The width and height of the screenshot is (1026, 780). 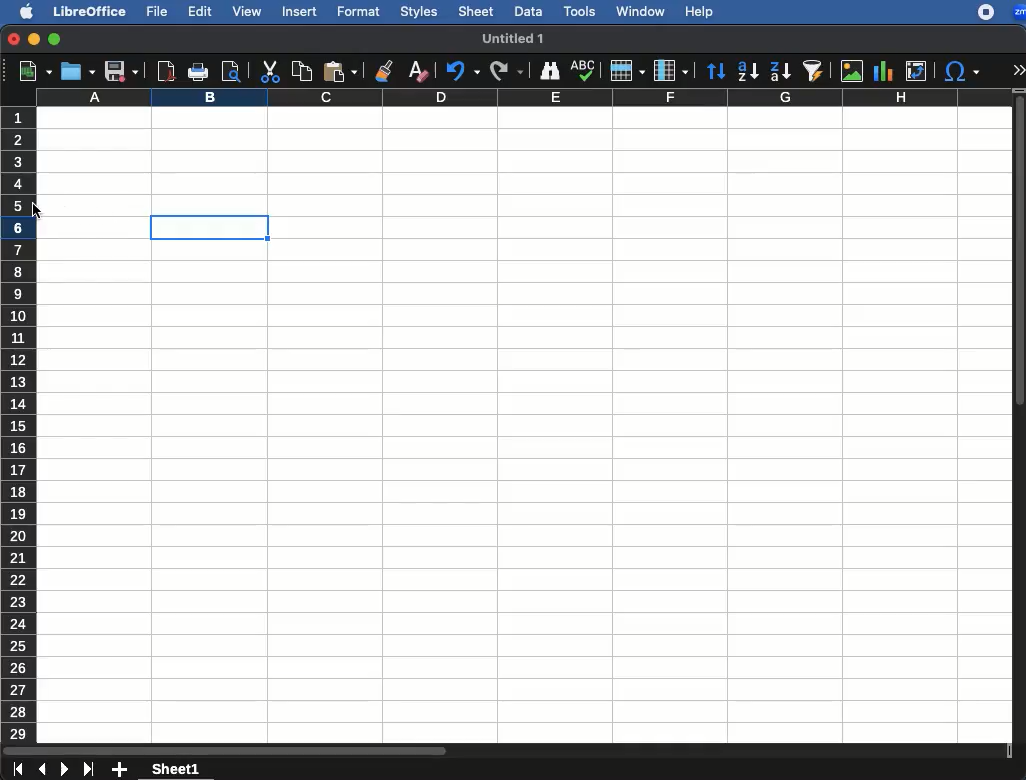 I want to click on clone formatting, so click(x=383, y=69).